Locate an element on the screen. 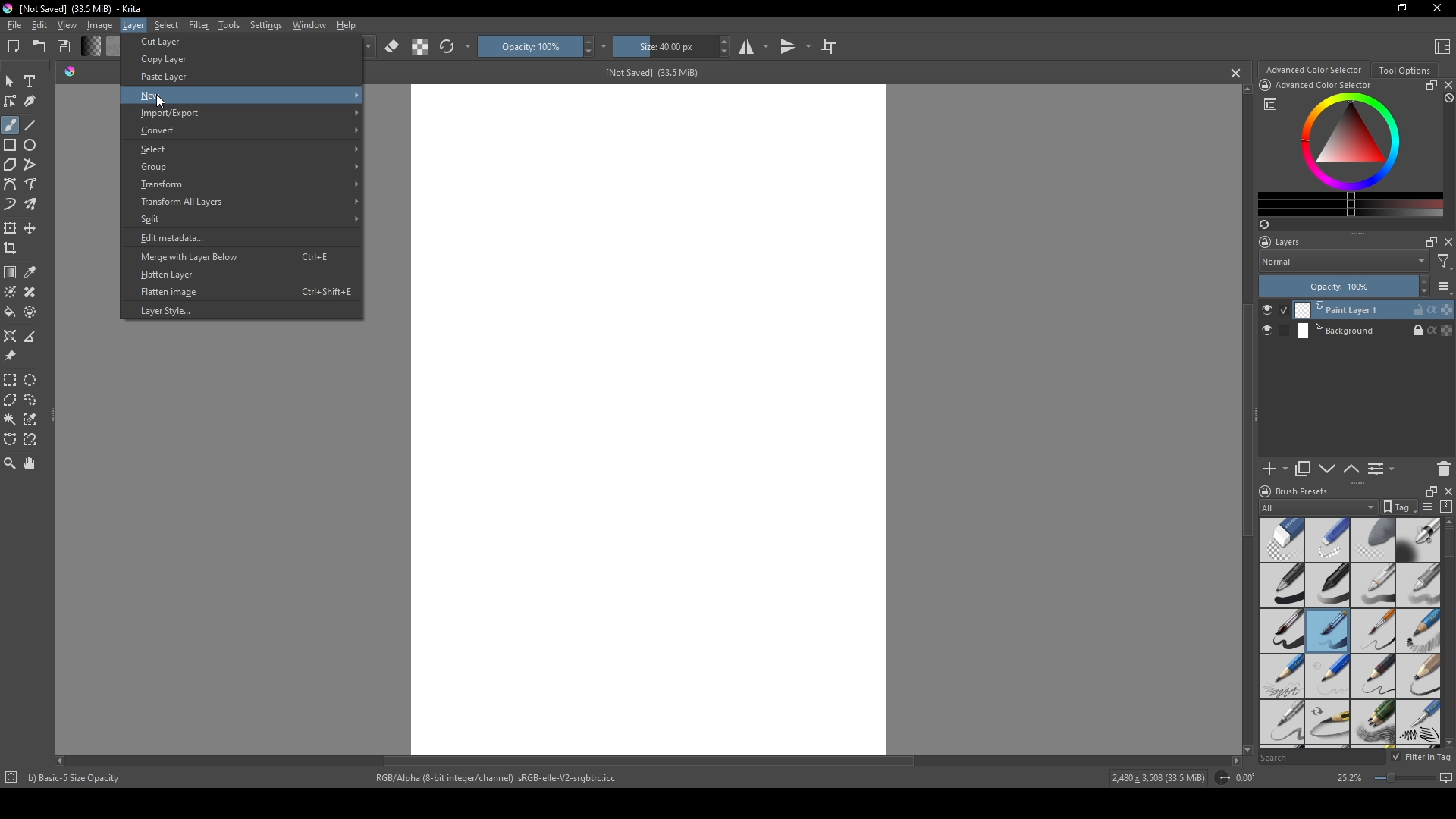  scroll down is located at coordinates (1244, 748).